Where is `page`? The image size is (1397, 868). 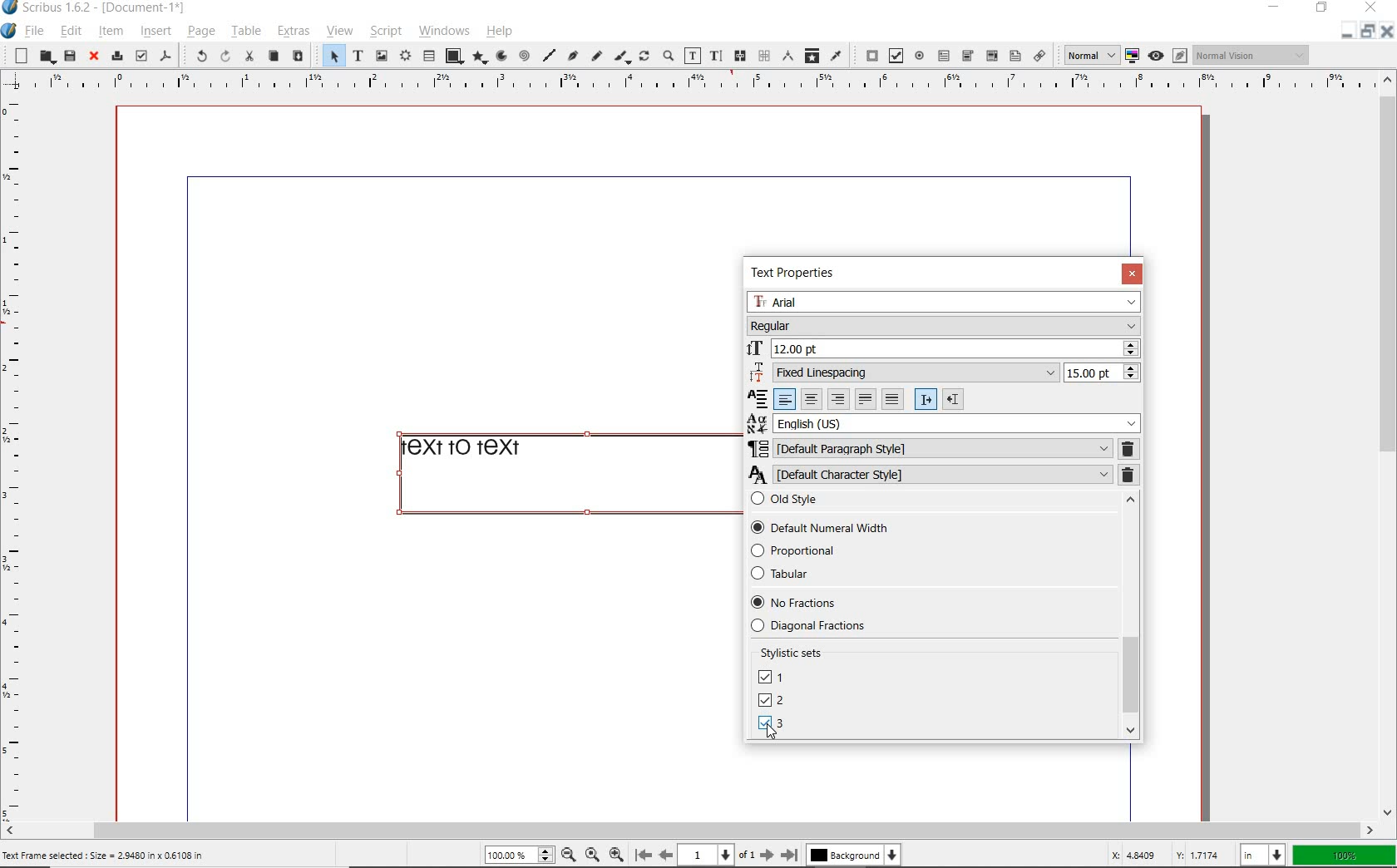 page is located at coordinates (200, 32).